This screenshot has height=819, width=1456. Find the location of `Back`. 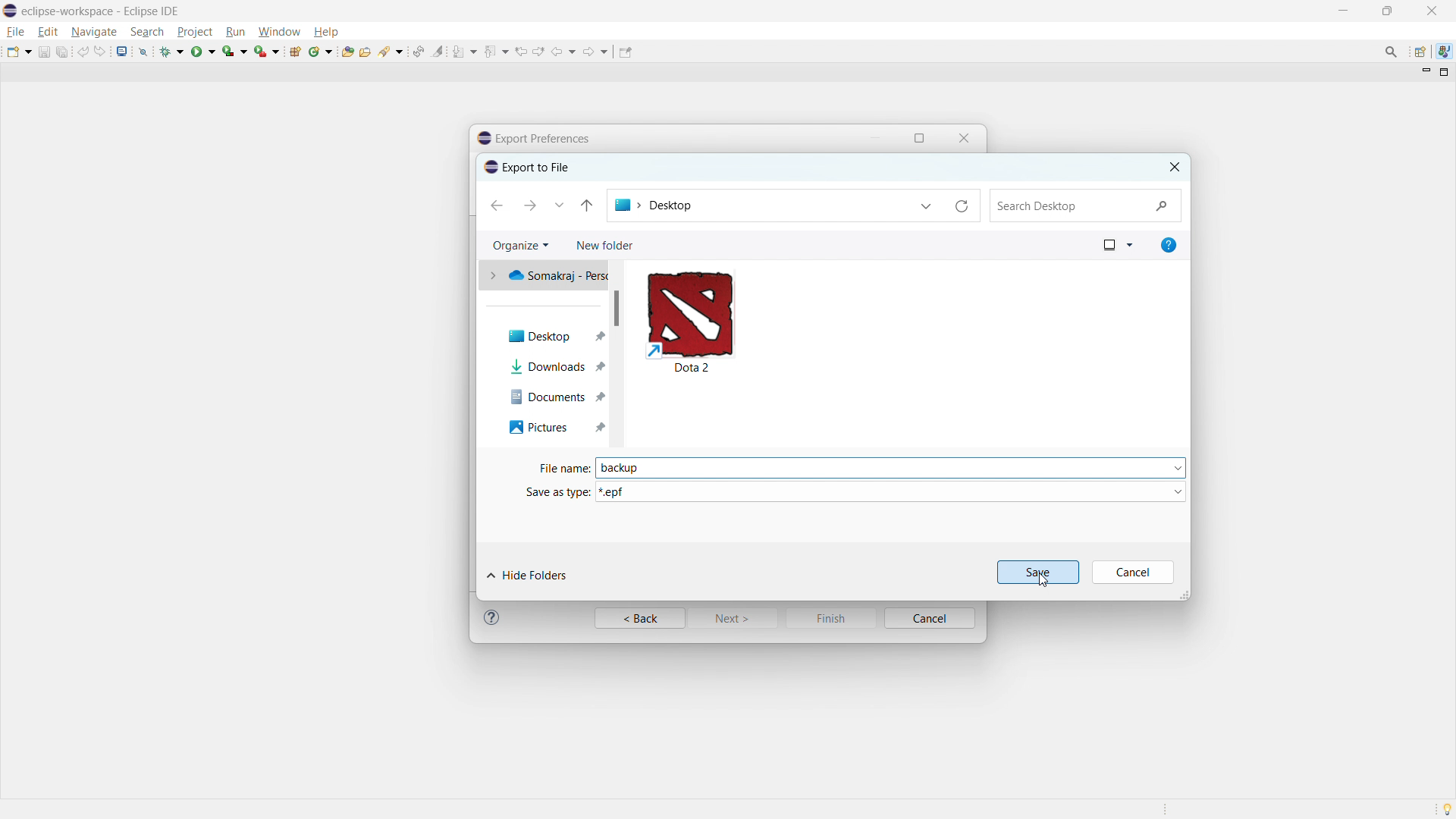

Back is located at coordinates (638, 619).